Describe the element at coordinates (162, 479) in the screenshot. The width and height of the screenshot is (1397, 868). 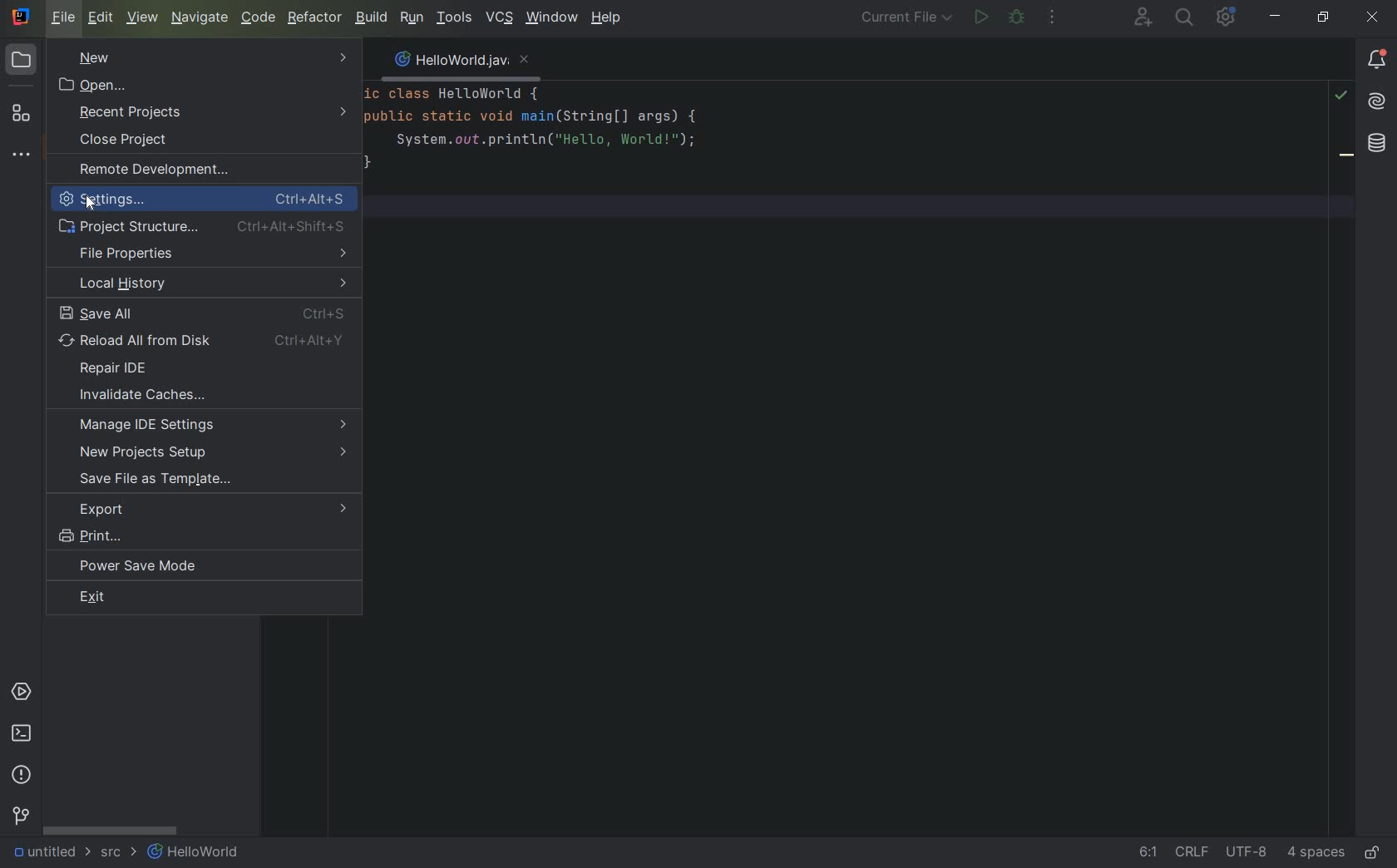
I see `save file as template` at that location.